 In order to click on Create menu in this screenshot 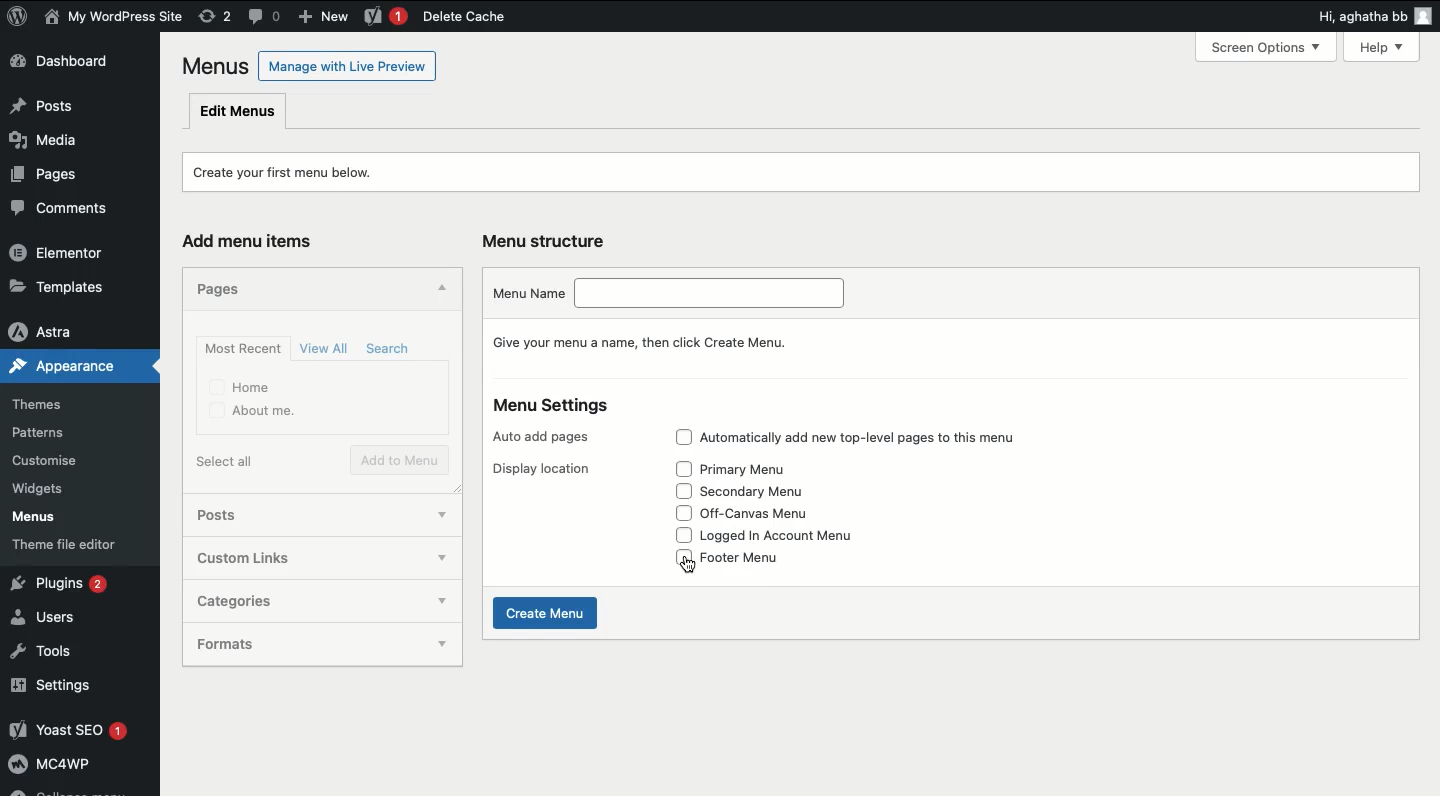, I will do `click(545, 614)`.